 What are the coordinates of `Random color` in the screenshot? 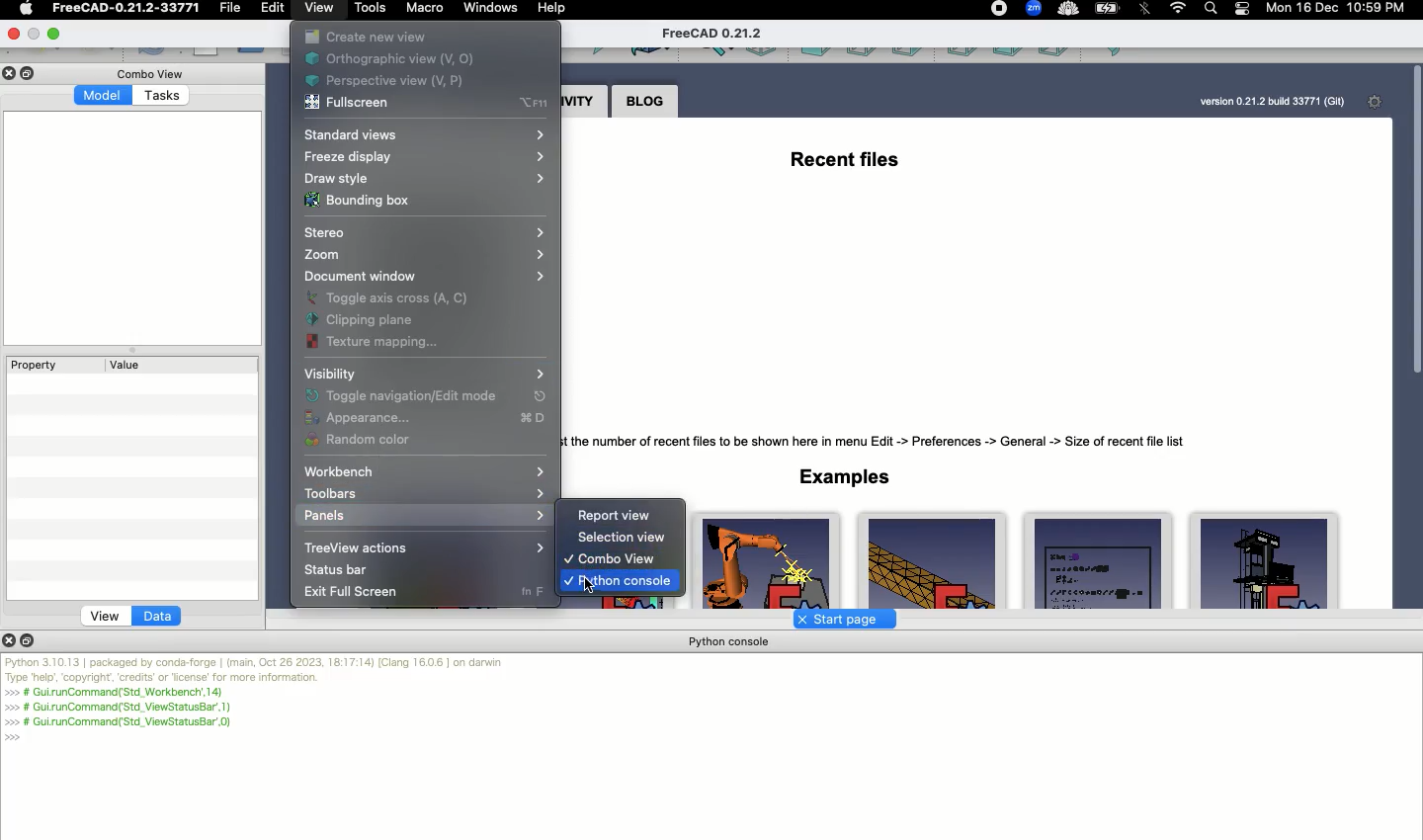 It's located at (364, 442).